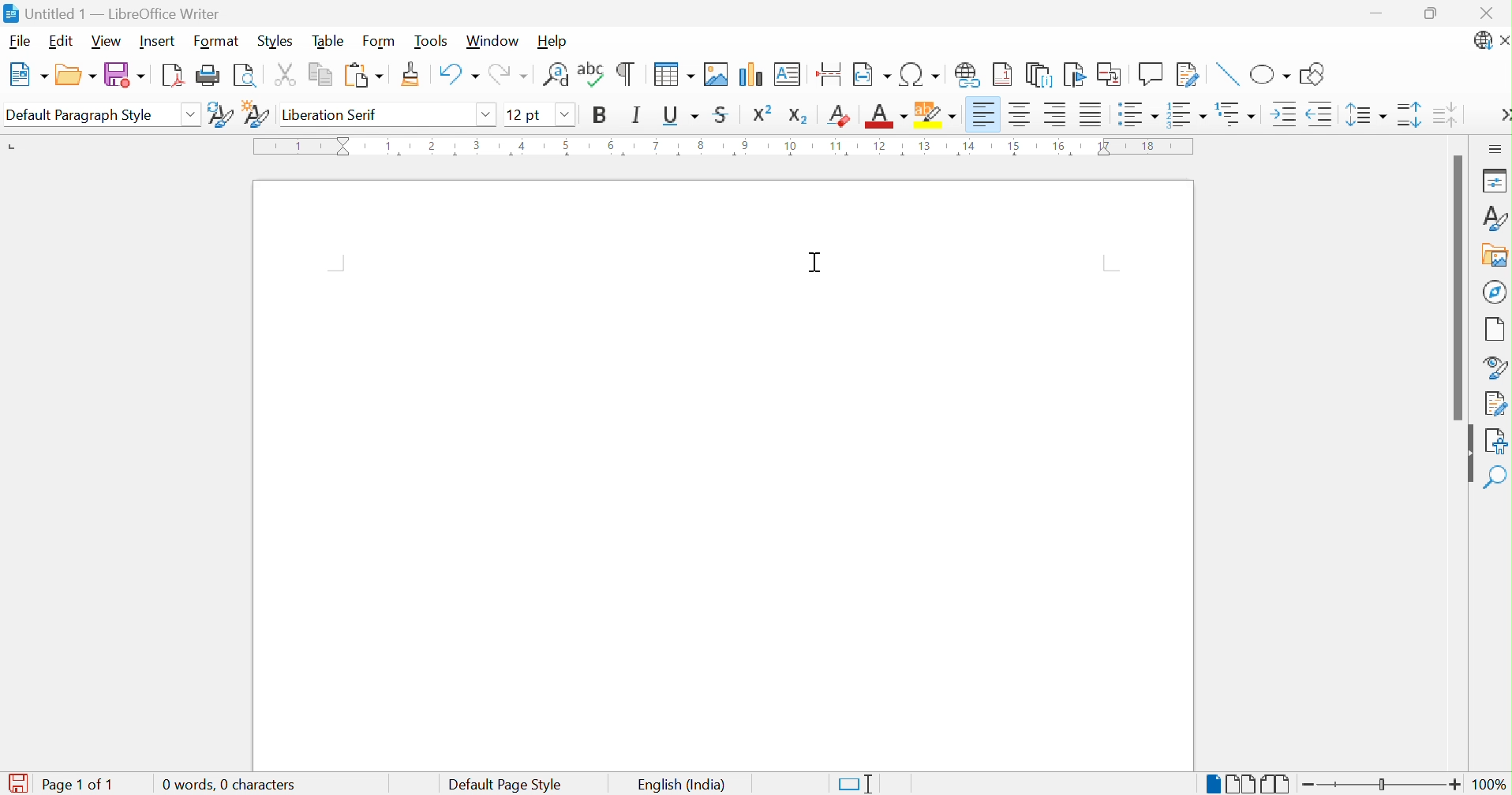 The image size is (1512, 795). I want to click on Open, so click(77, 76).